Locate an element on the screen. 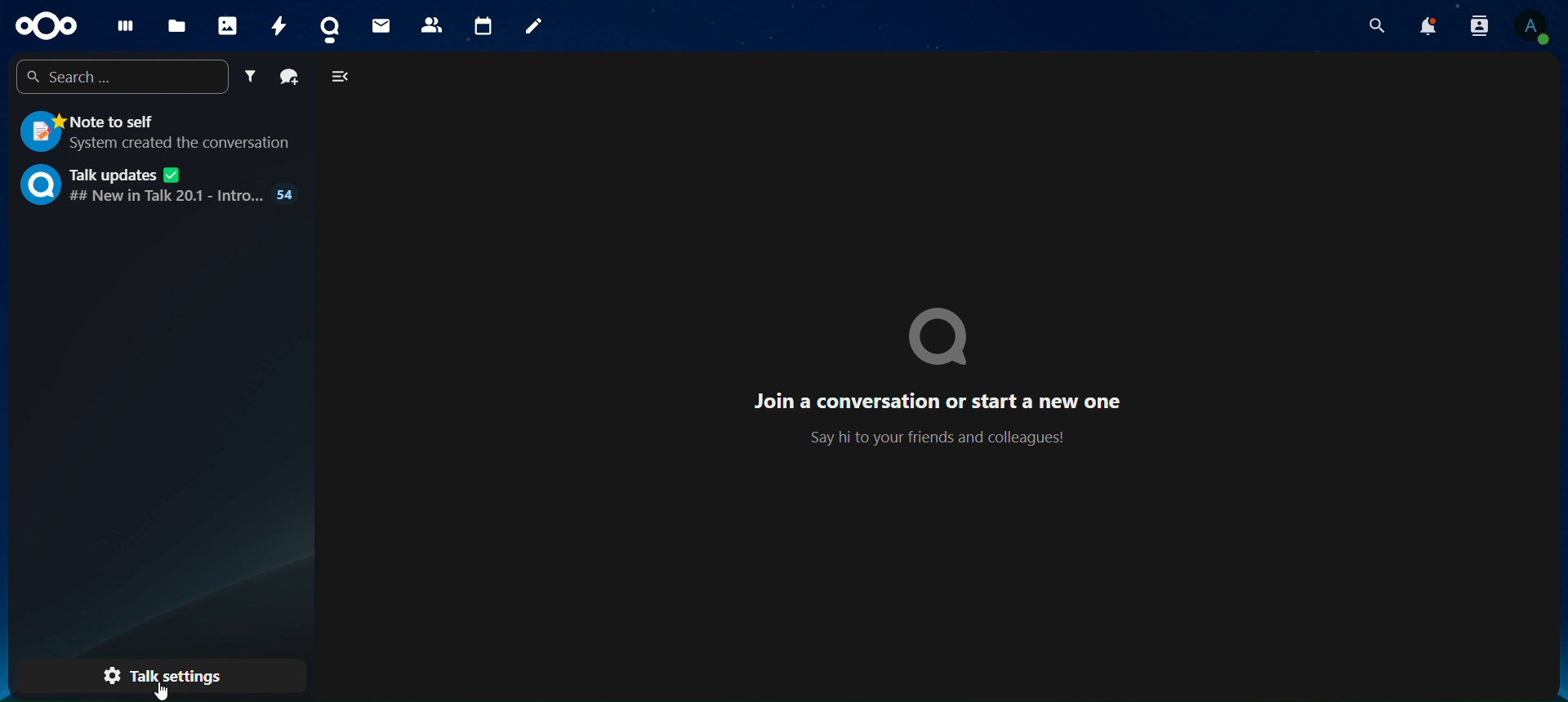 This screenshot has width=1568, height=702. notifications is located at coordinates (1429, 26).